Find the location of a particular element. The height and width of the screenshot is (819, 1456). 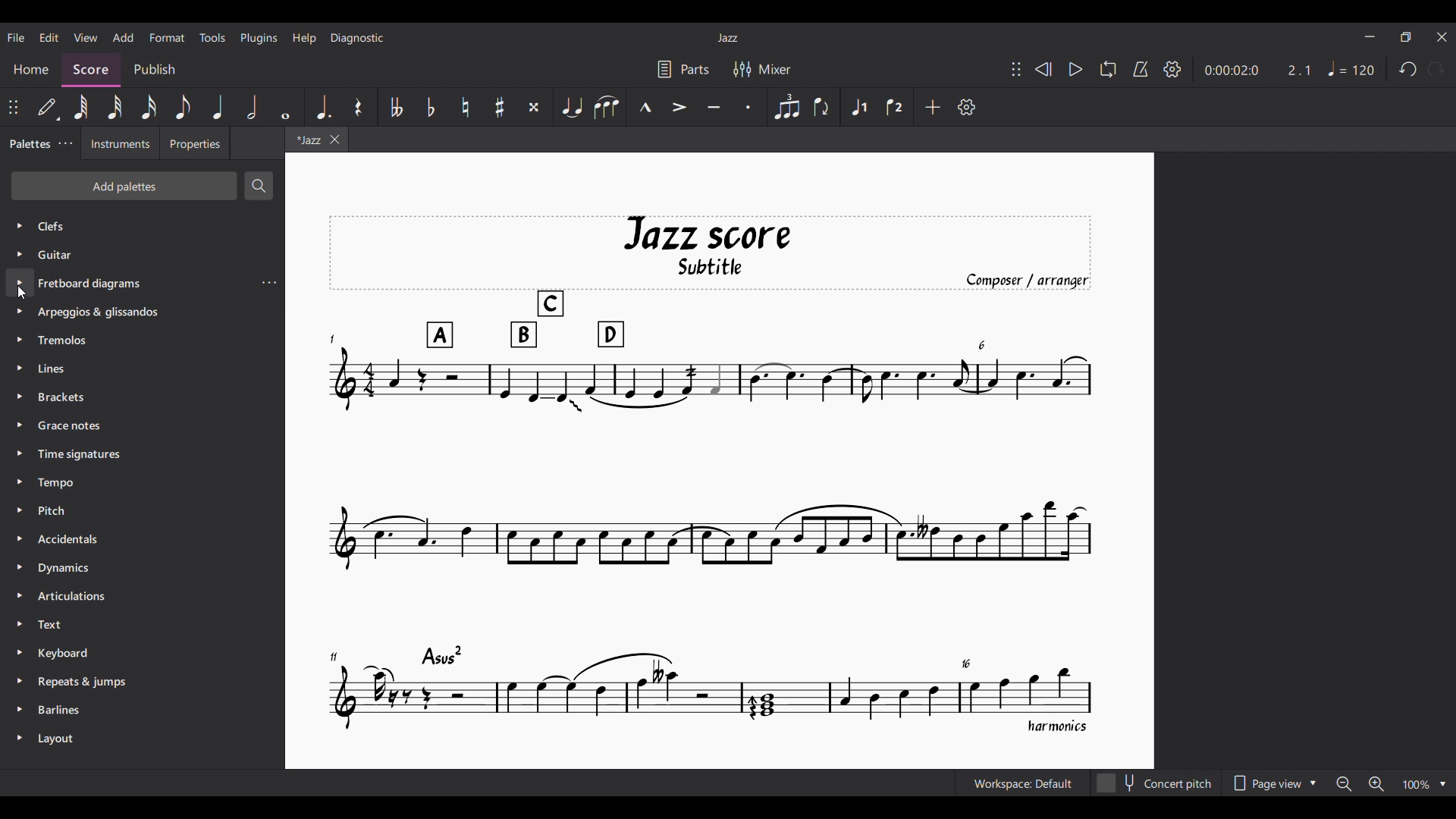

Add is located at coordinates (933, 107).